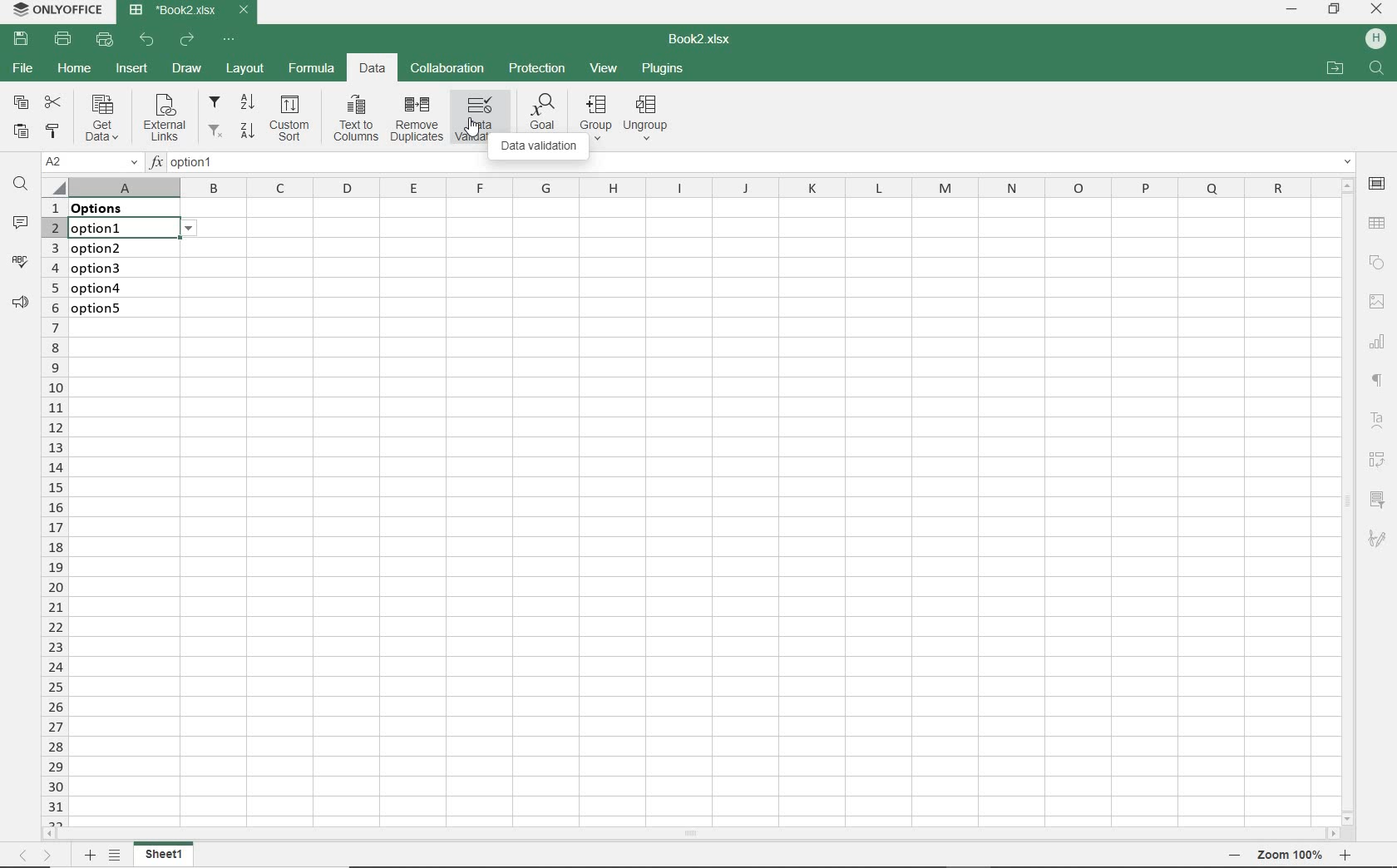  Describe the element at coordinates (100, 117) in the screenshot. I see `Get data` at that location.